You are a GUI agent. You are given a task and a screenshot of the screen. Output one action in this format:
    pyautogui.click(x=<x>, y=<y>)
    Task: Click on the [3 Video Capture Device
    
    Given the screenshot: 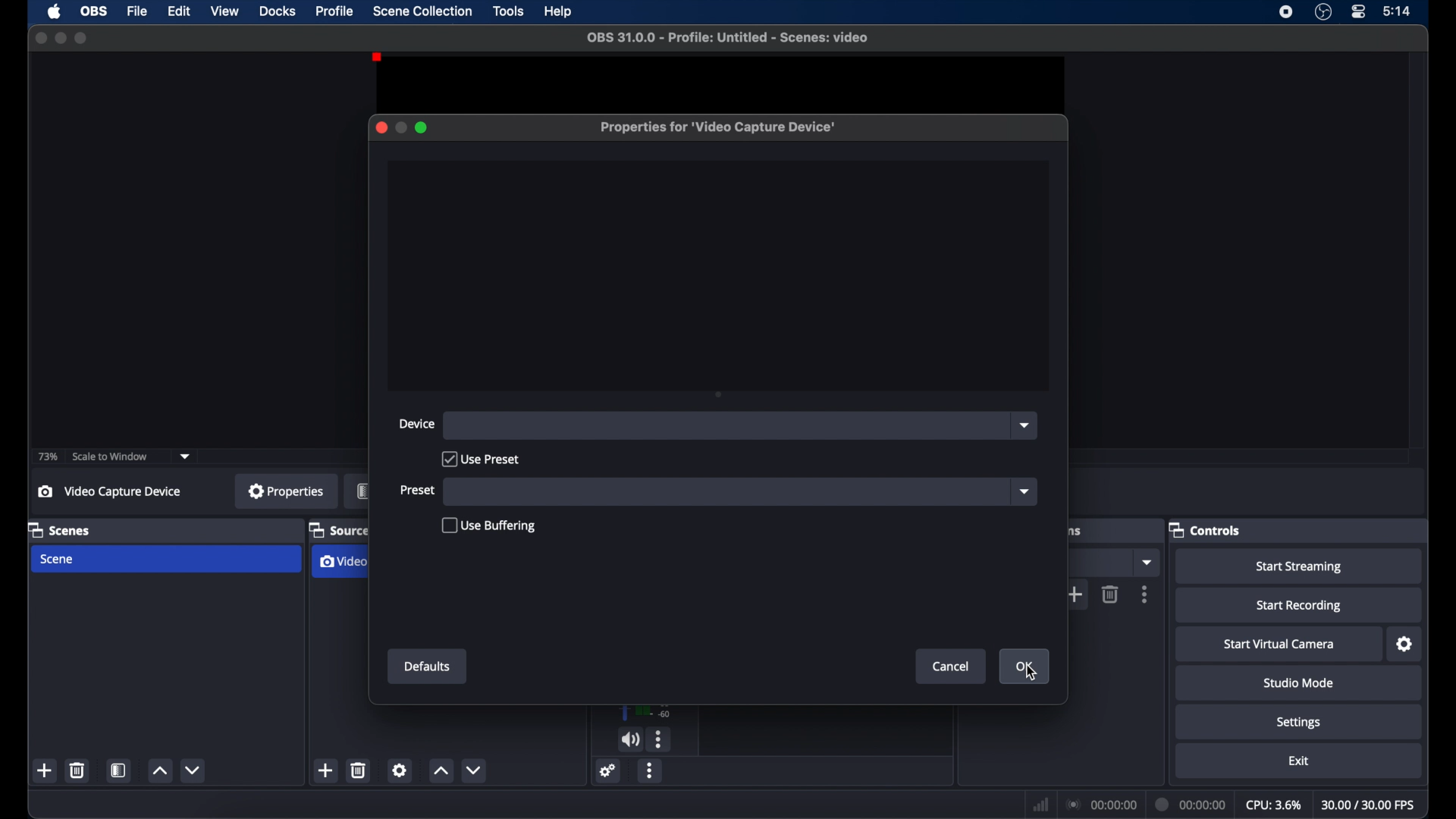 What is the action you would take?
    pyautogui.click(x=118, y=492)
    